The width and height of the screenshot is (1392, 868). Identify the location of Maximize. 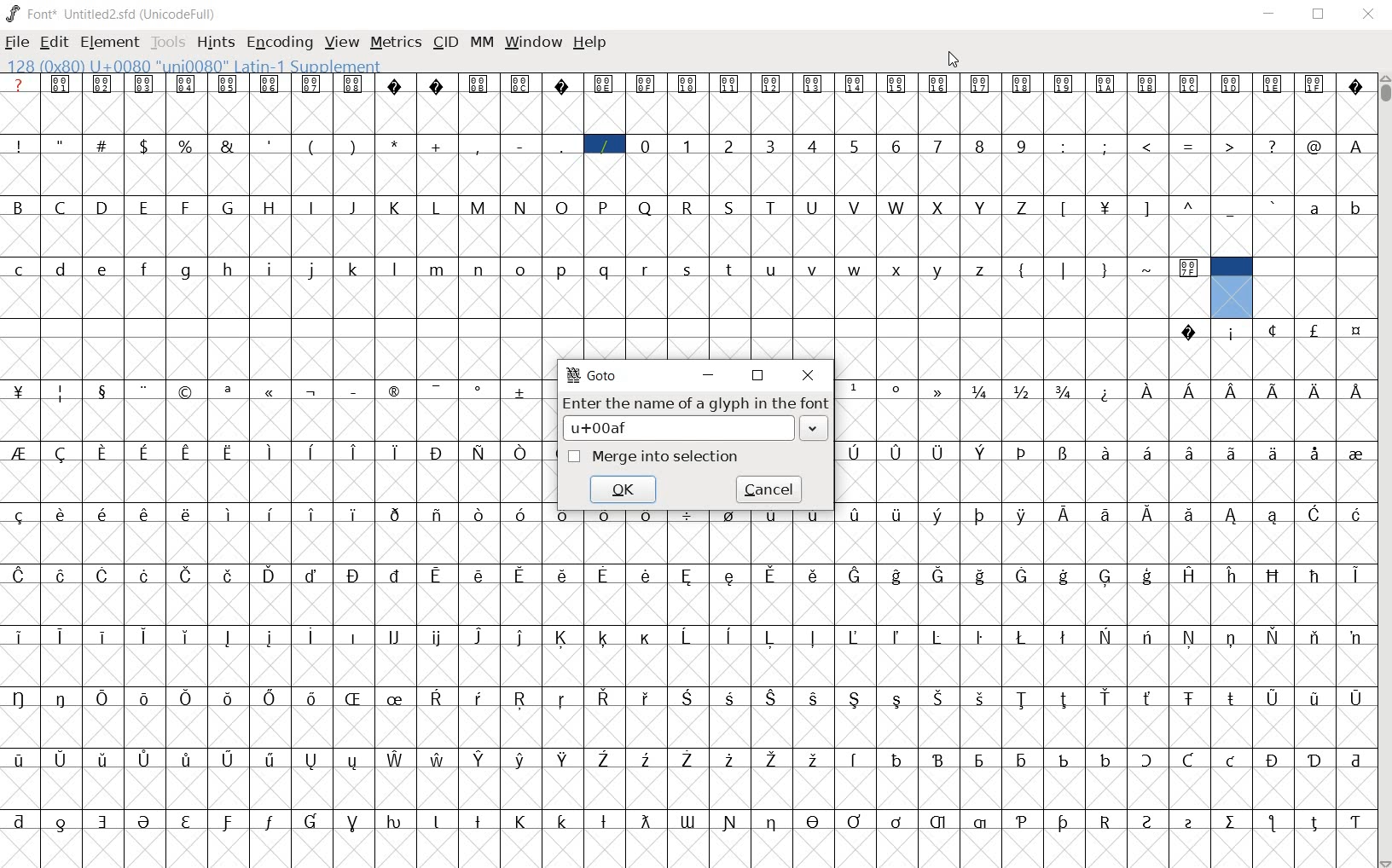
(1322, 17).